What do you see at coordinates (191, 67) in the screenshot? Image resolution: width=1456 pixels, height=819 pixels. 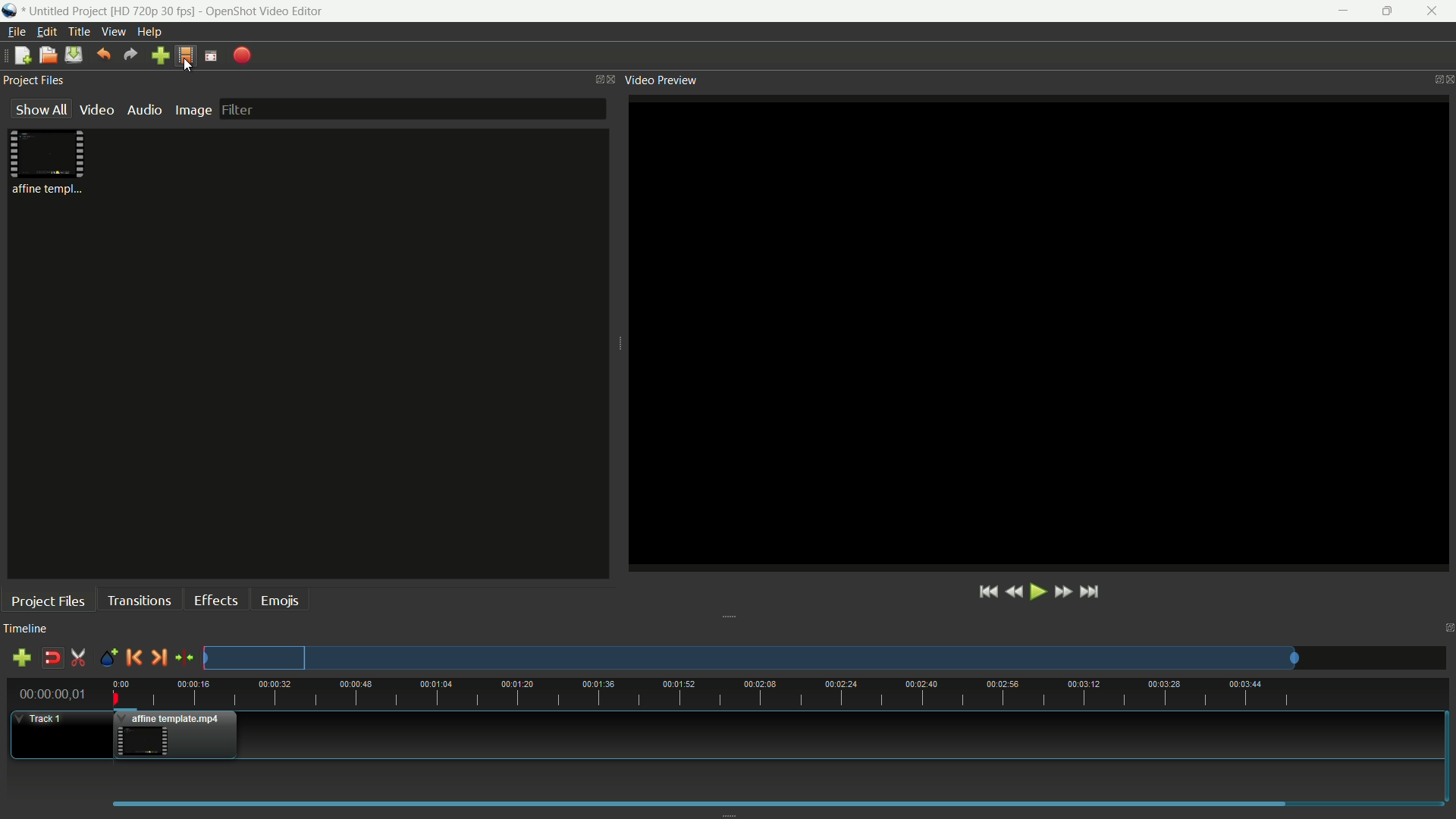 I see `cursor` at bounding box center [191, 67].